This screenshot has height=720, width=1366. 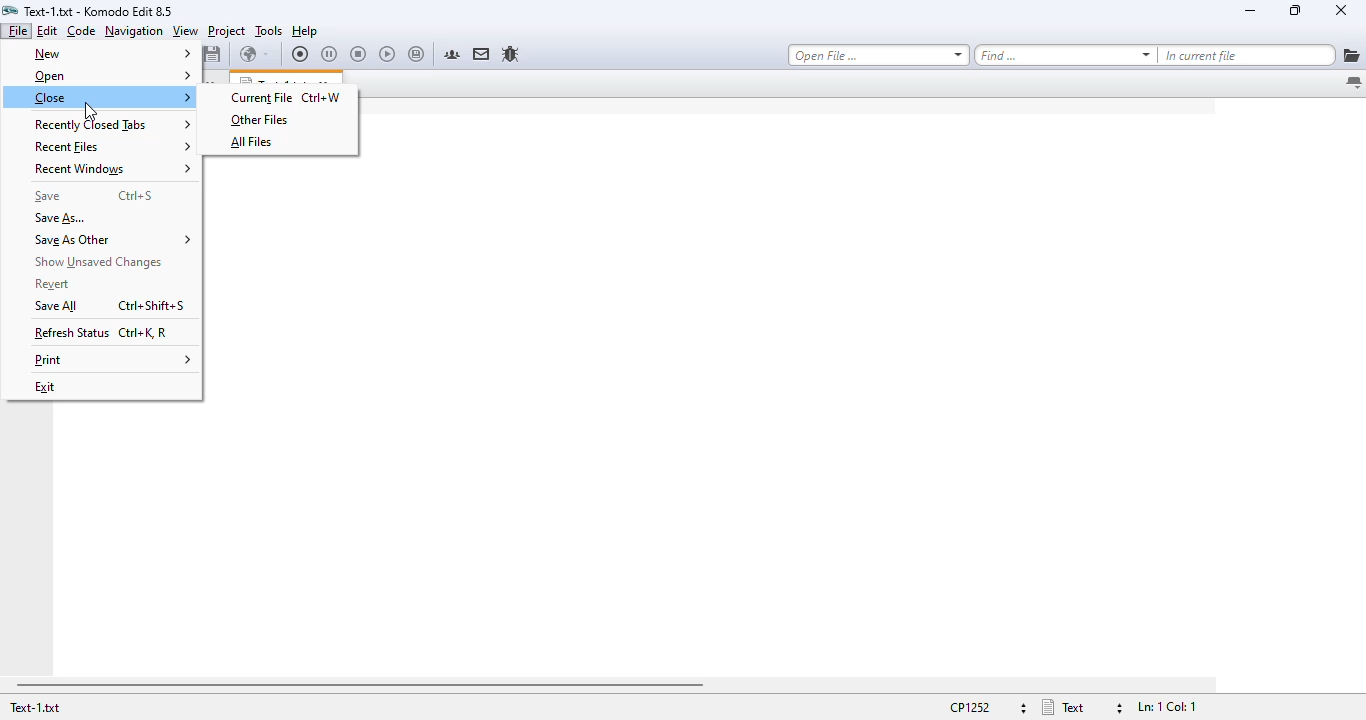 What do you see at coordinates (305, 31) in the screenshot?
I see `help` at bounding box center [305, 31].